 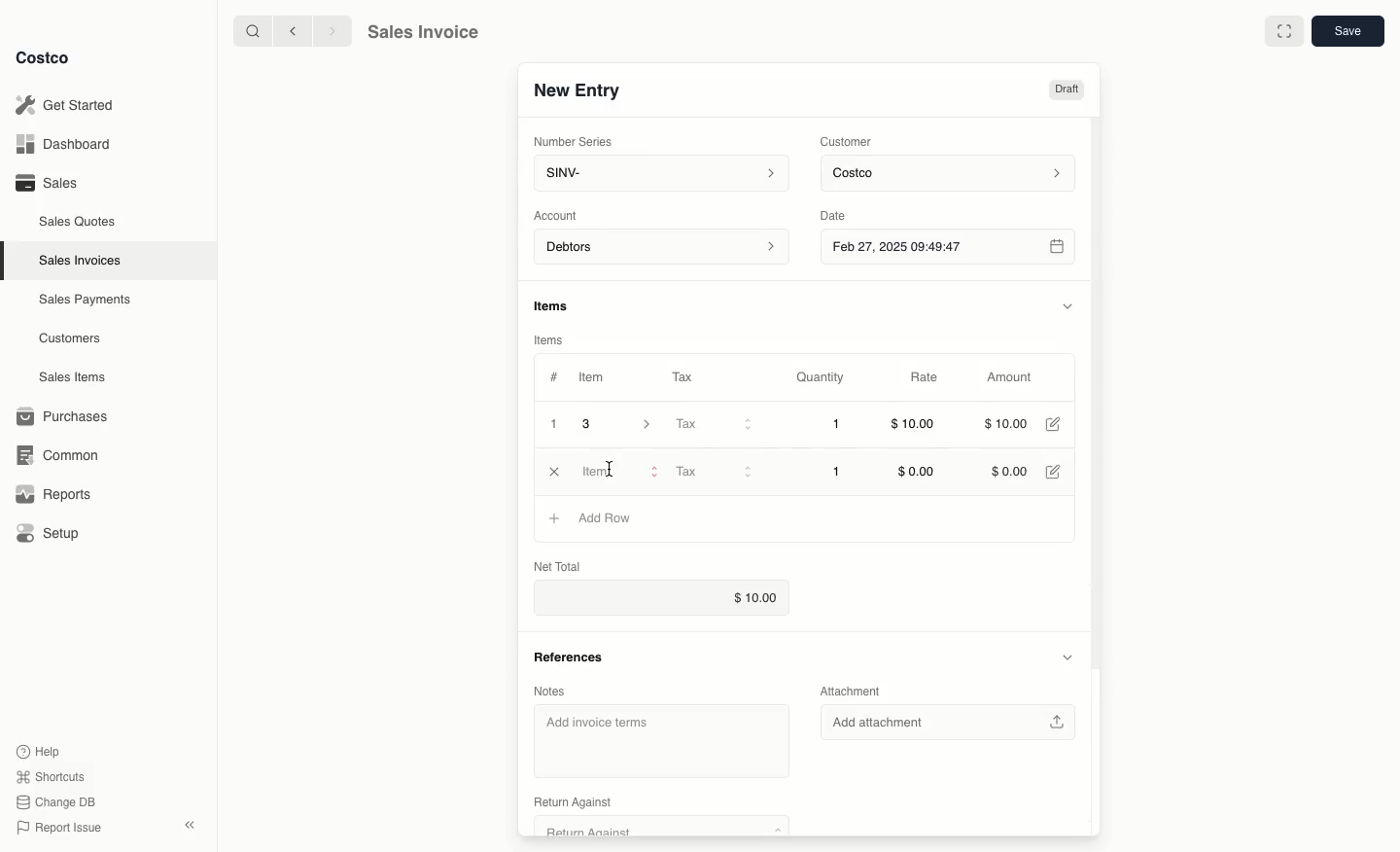 What do you see at coordinates (53, 453) in the screenshot?
I see `Common` at bounding box center [53, 453].